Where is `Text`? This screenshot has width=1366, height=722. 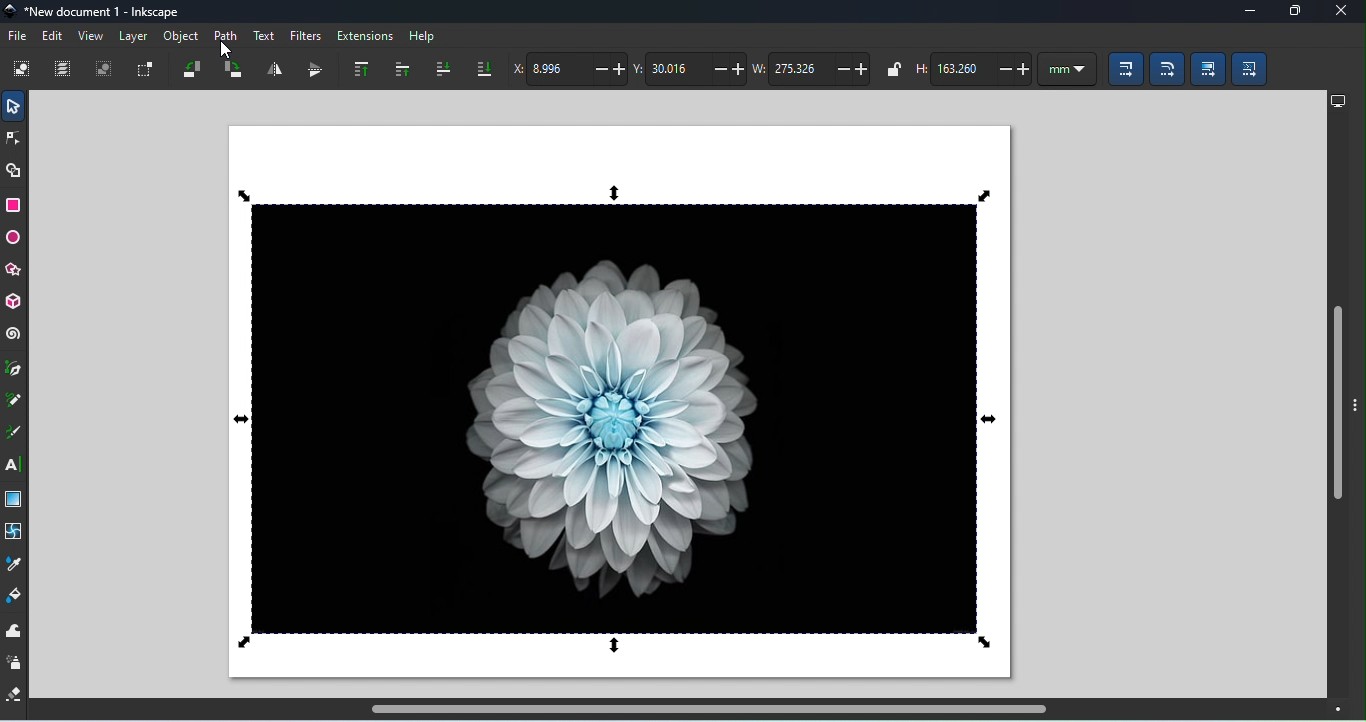 Text is located at coordinates (265, 37).